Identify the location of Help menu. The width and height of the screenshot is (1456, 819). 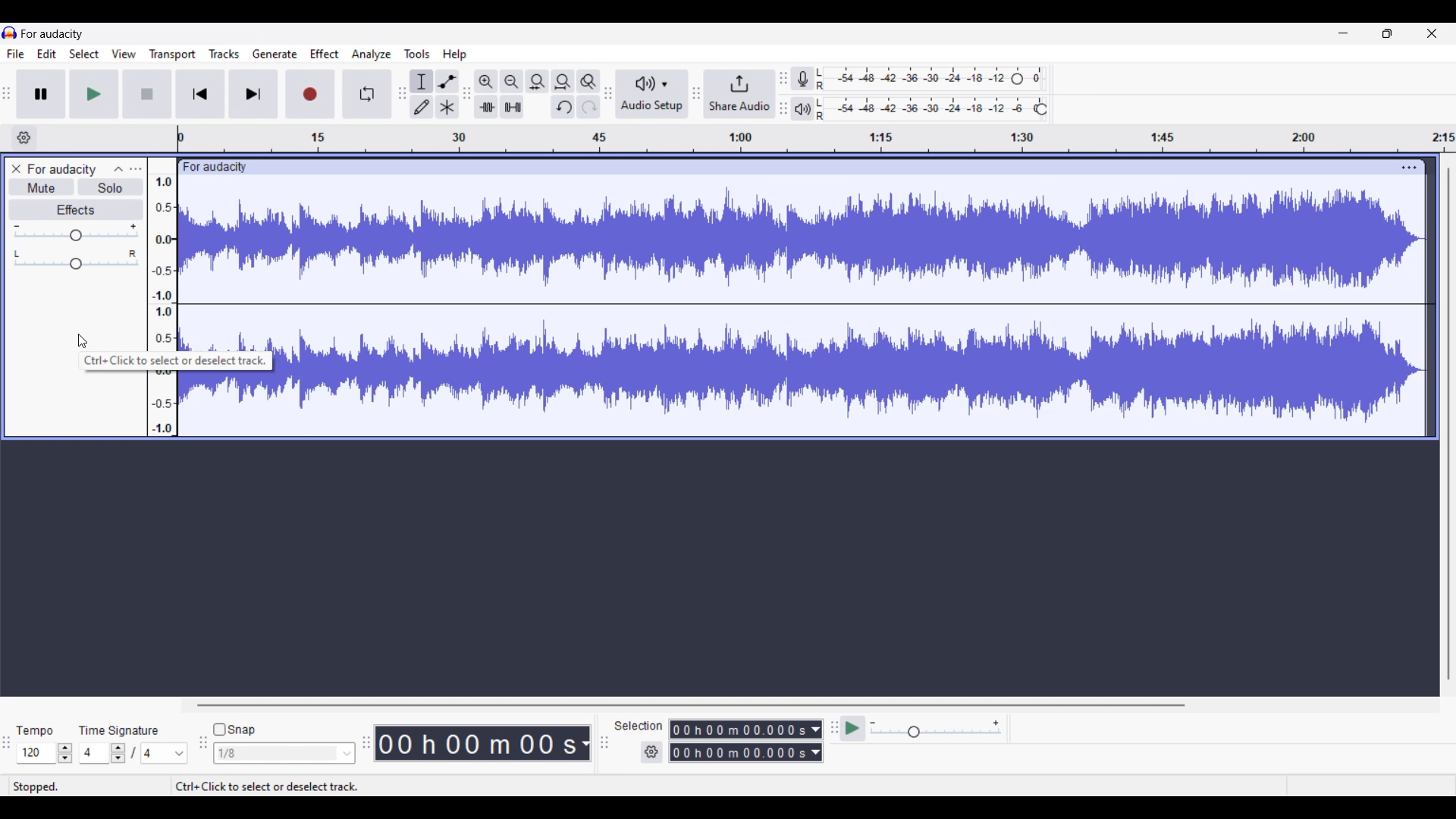
(455, 55).